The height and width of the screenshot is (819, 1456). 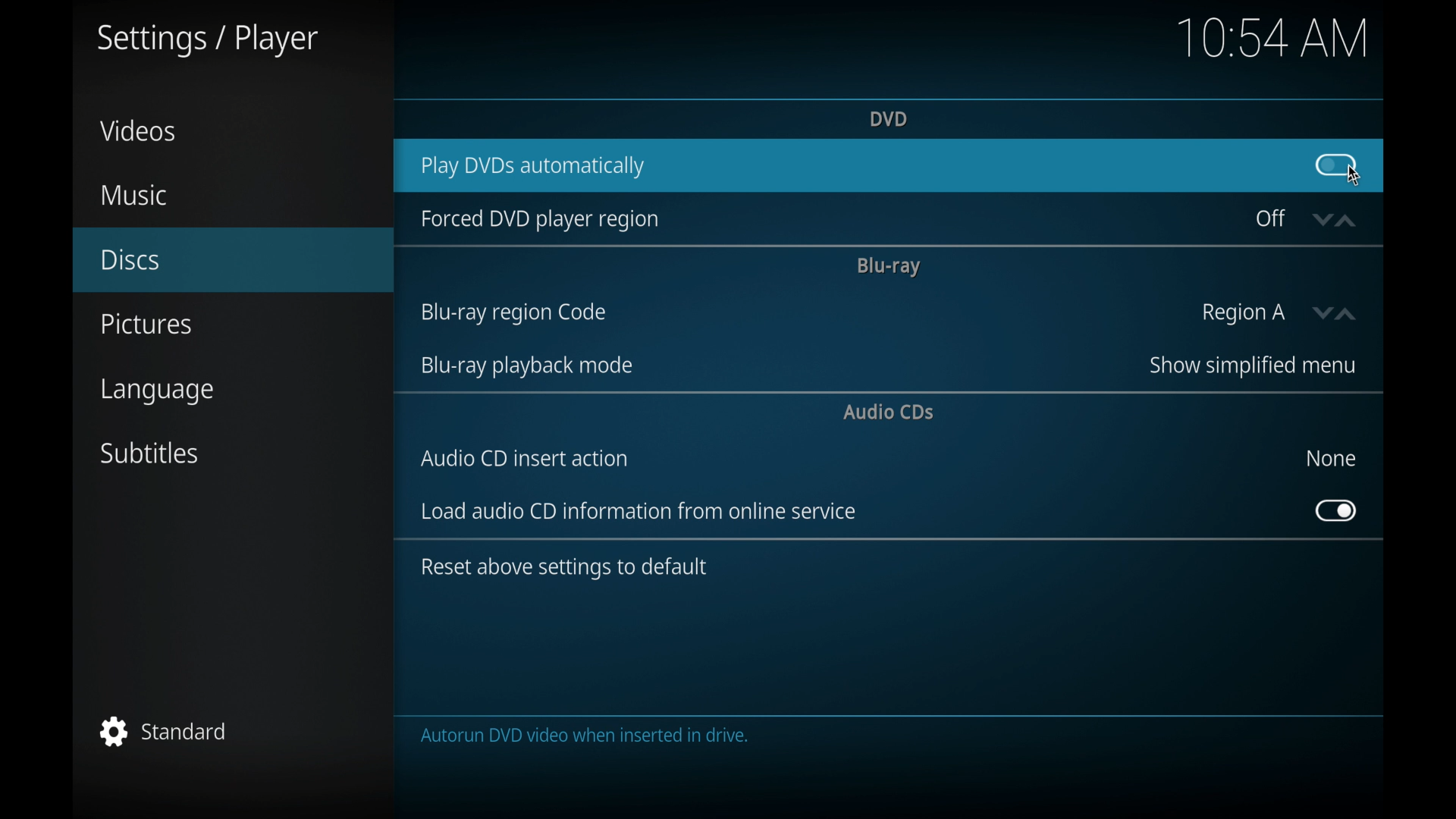 What do you see at coordinates (133, 196) in the screenshot?
I see `music` at bounding box center [133, 196].